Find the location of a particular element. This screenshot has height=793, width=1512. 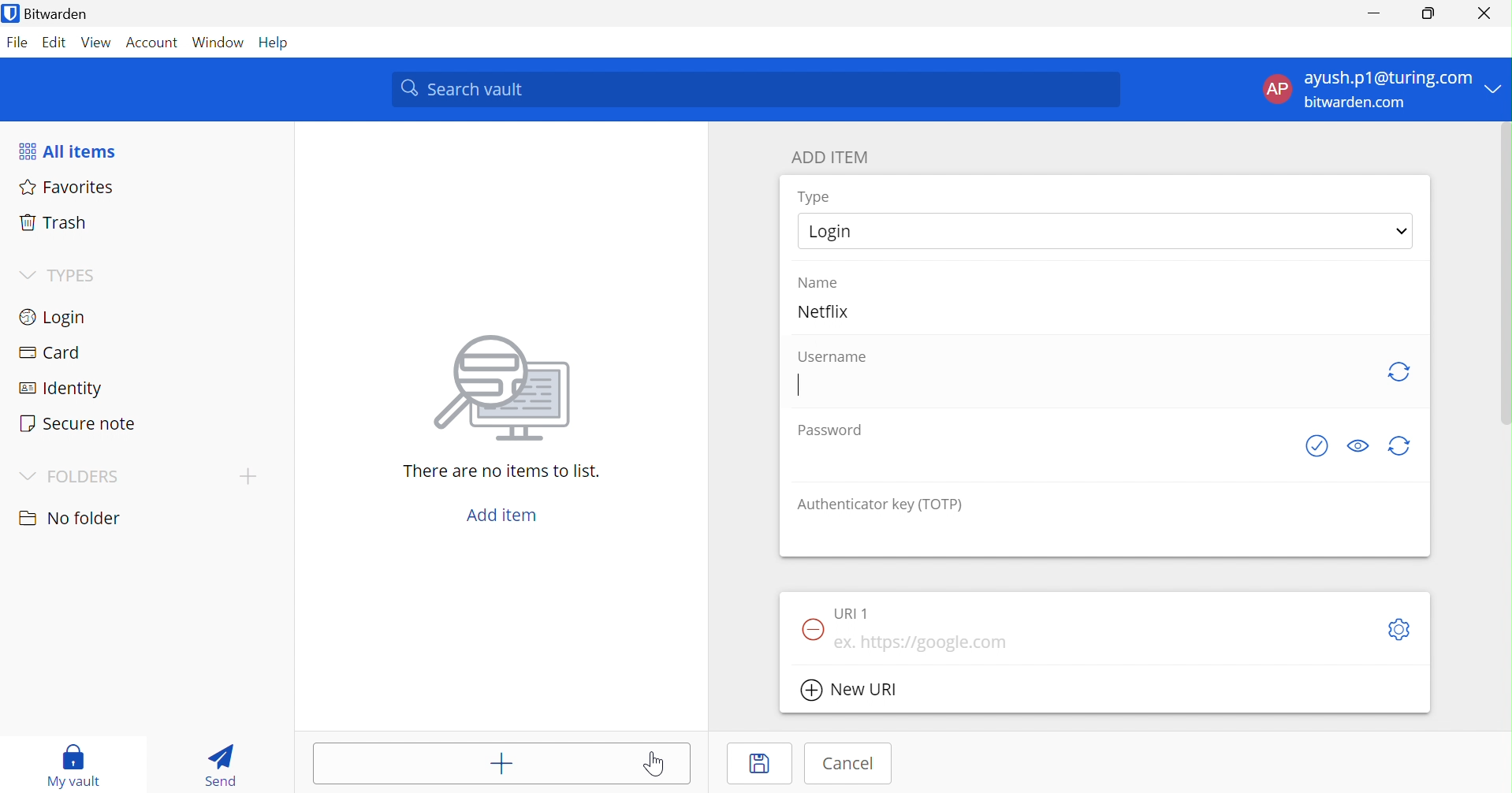

FOLDERS is located at coordinates (67, 478).